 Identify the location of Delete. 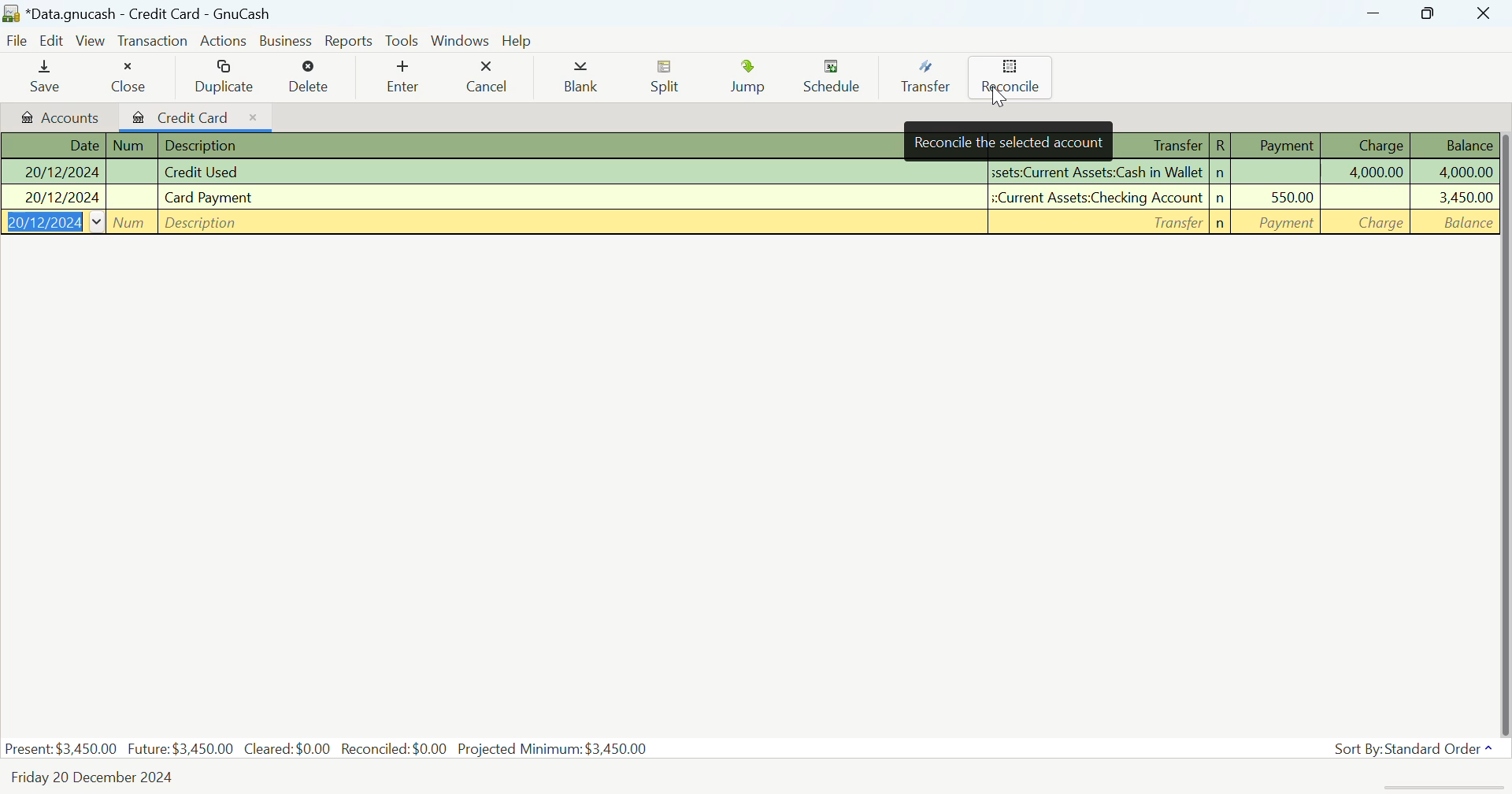
(311, 77).